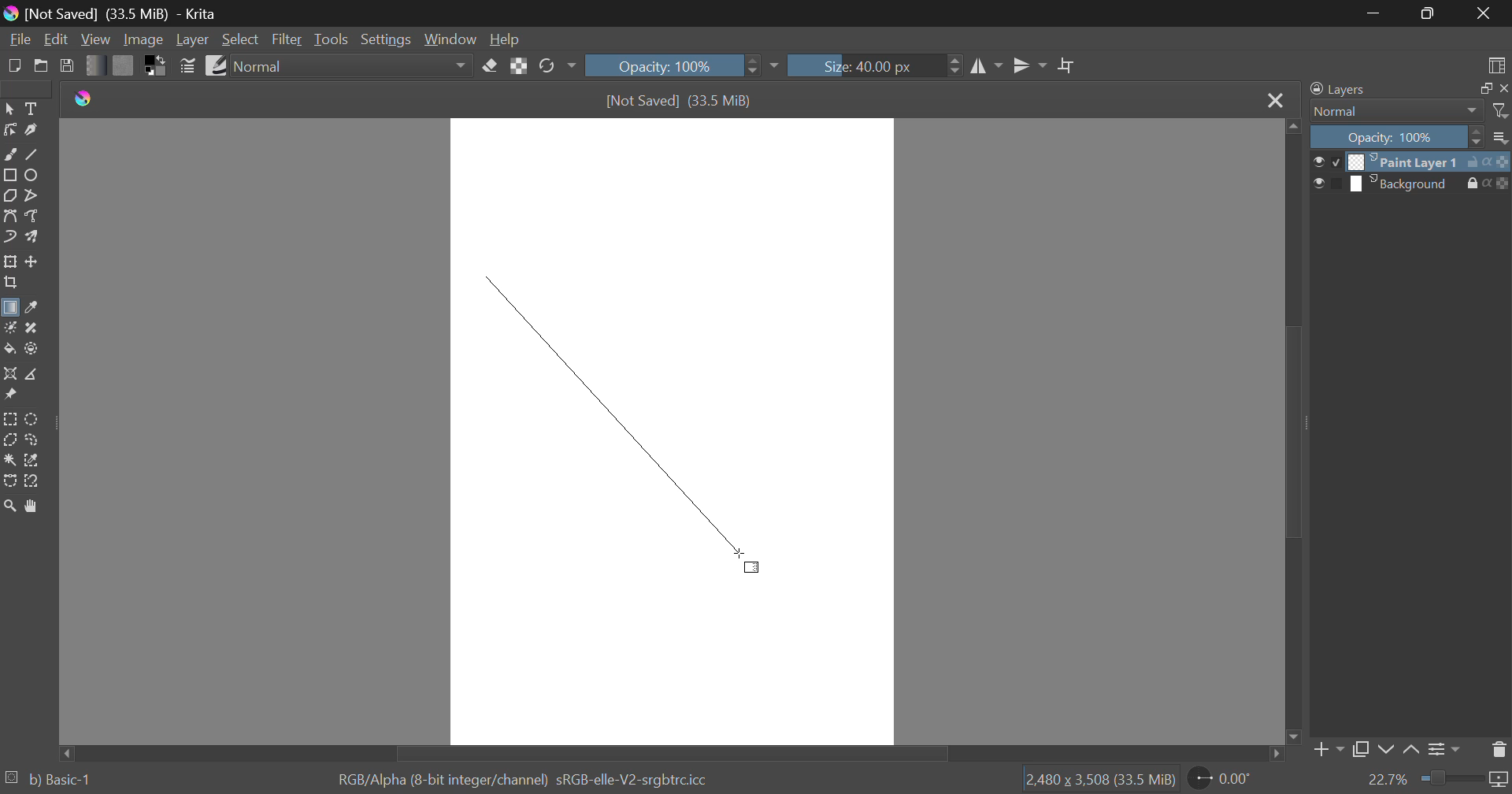  What do you see at coordinates (30, 309) in the screenshot?
I see `Eyedropper` at bounding box center [30, 309].